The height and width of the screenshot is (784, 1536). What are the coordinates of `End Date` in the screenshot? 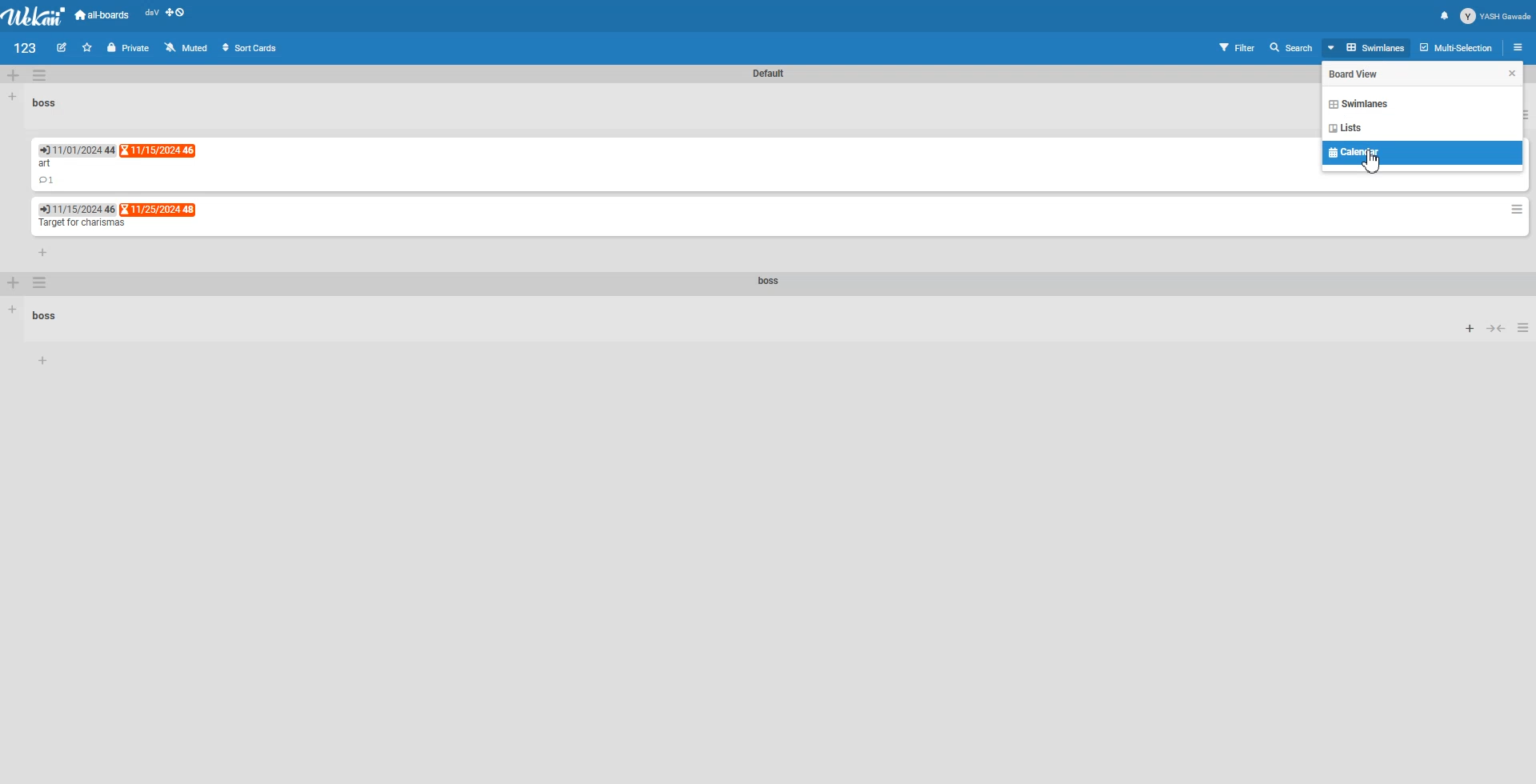 It's located at (78, 209).